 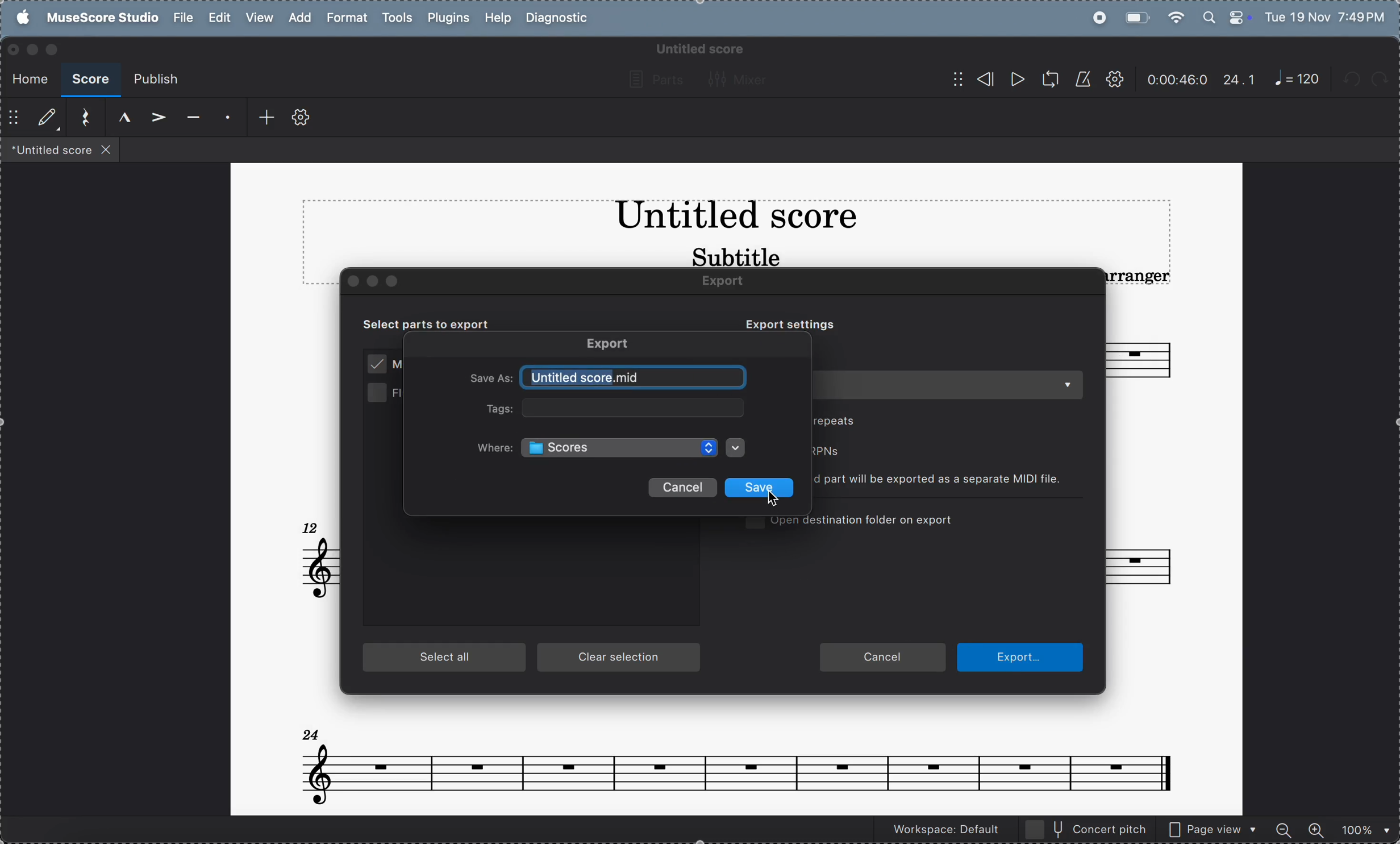 What do you see at coordinates (698, 49) in the screenshot?
I see `untitled score` at bounding box center [698, 49].